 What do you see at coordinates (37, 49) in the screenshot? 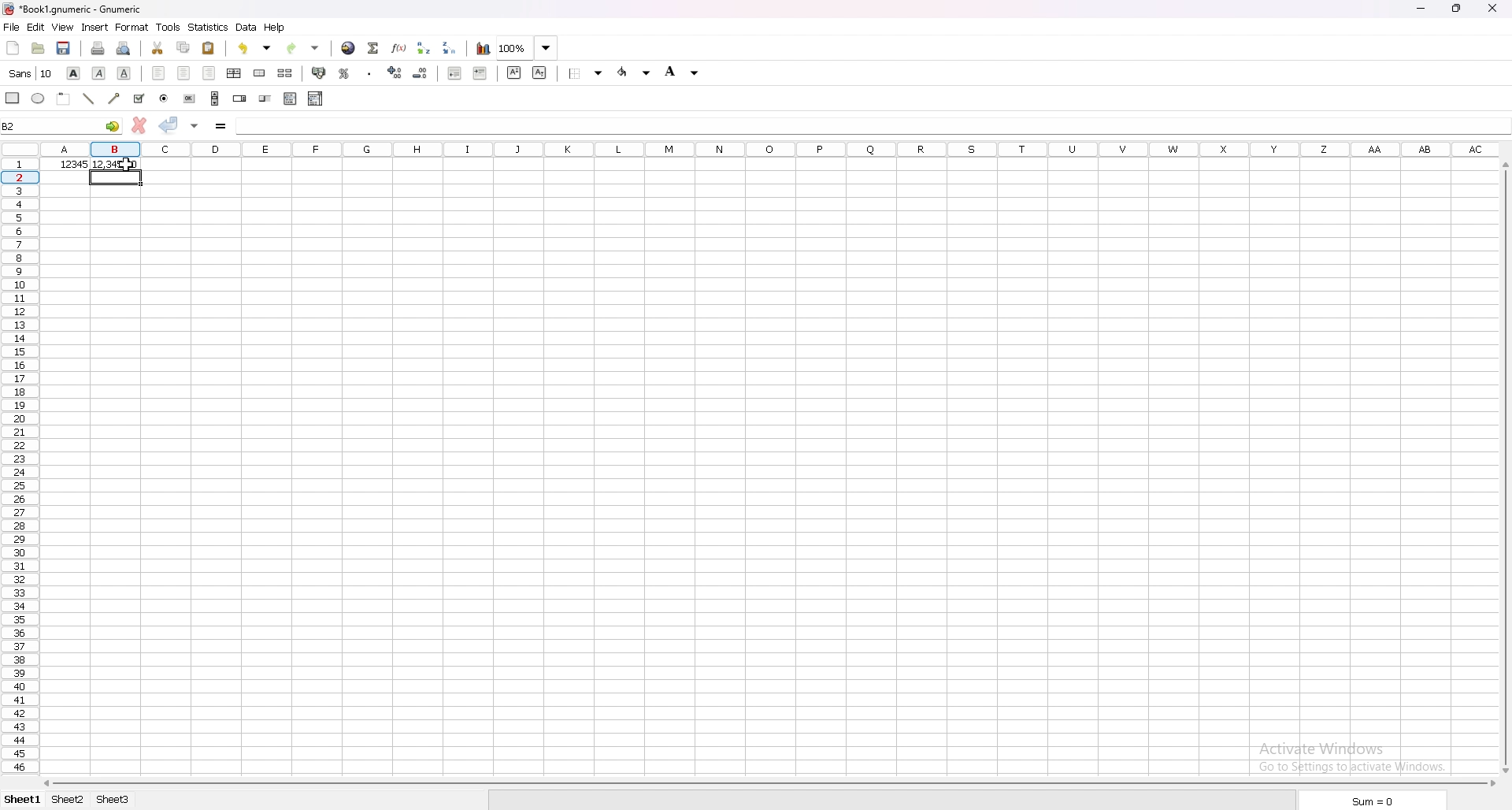
I see `open` at bounding box center [37, 49].